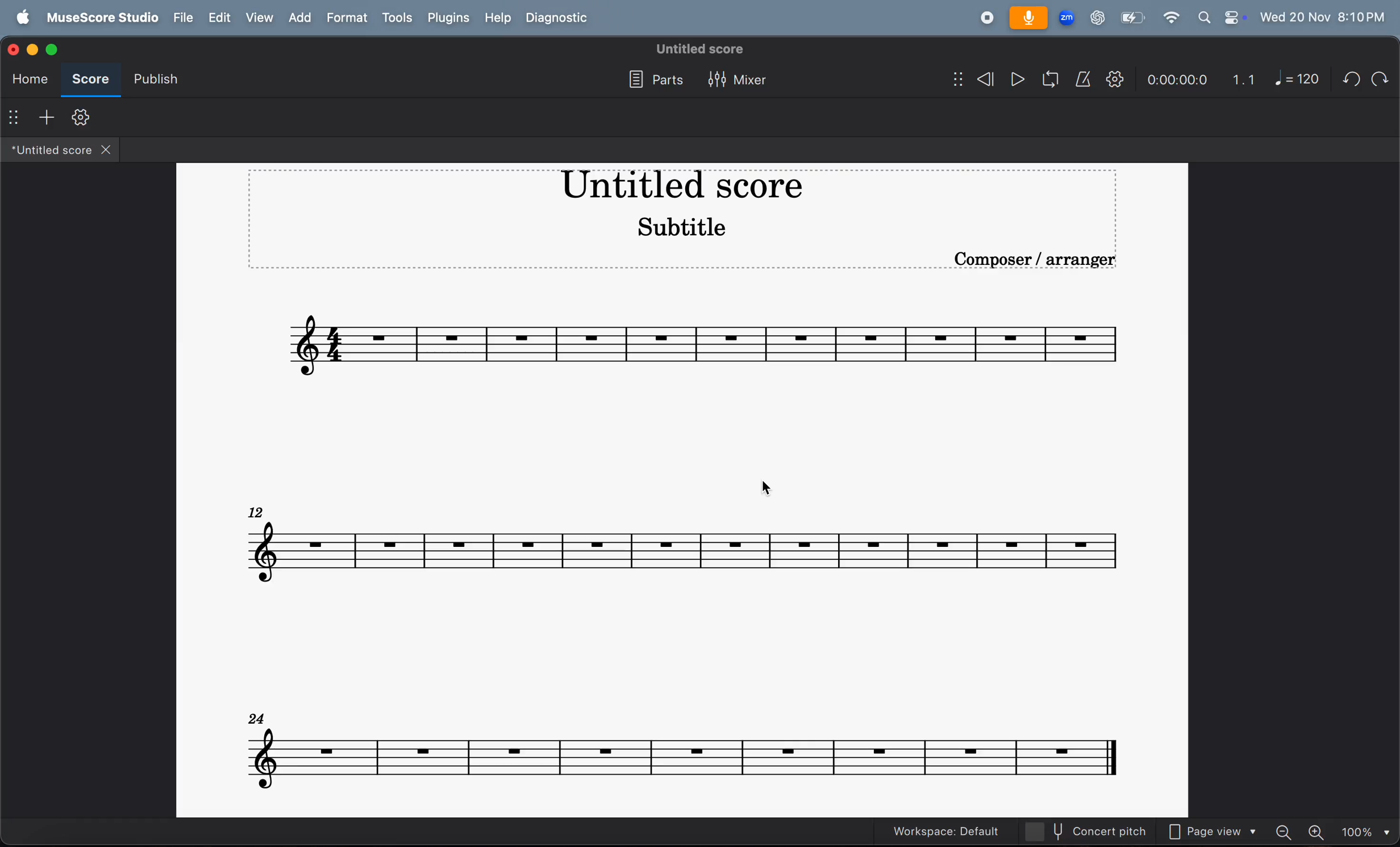 The width and height of the screenshot is (1400, 847). What do you see at coordinates (93, 77) in the screenshot?
I see `score` at bounding box center [93, 77].